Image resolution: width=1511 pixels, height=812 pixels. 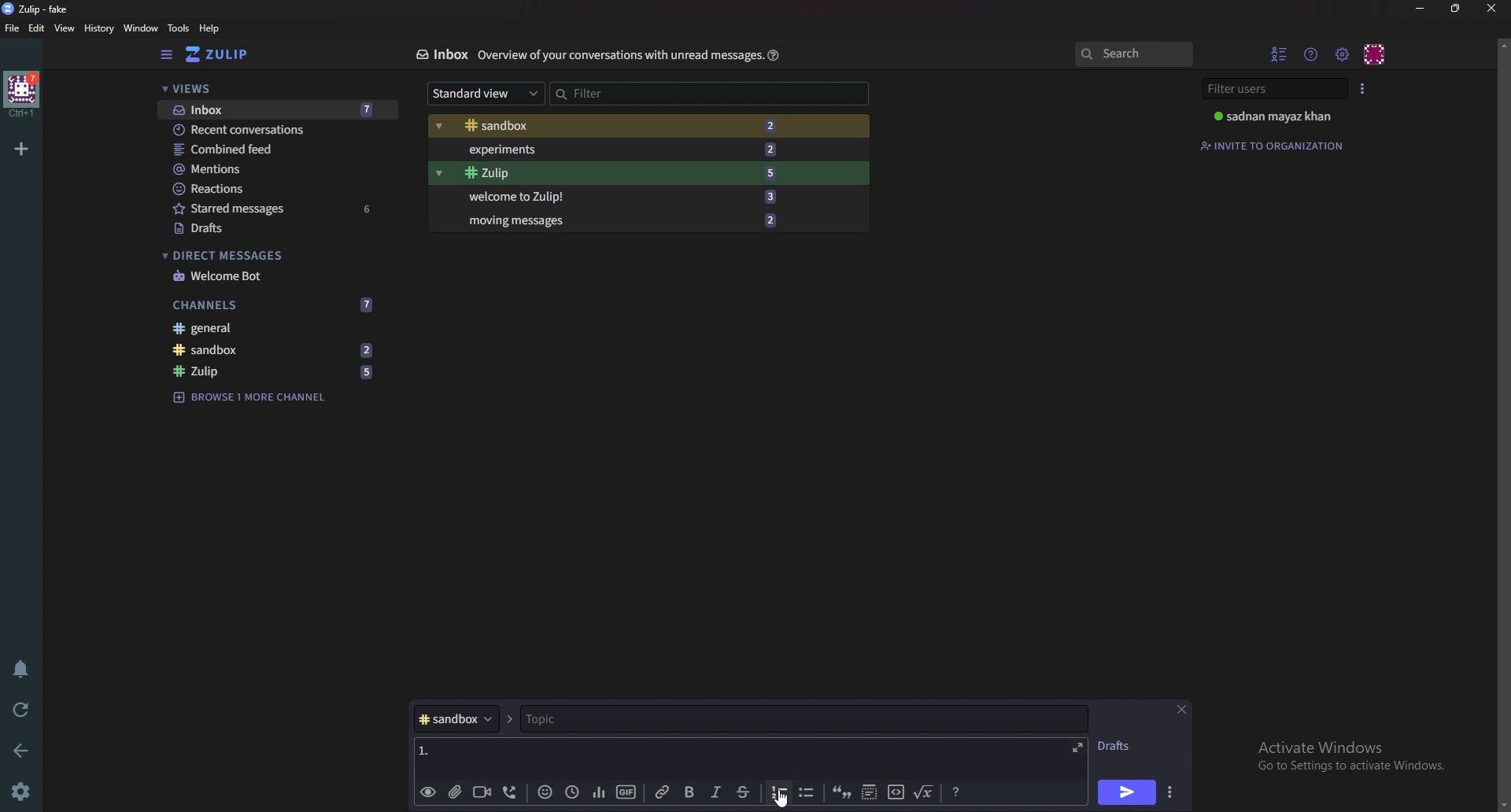 I want to click on quote, so click(x=843, y=794).